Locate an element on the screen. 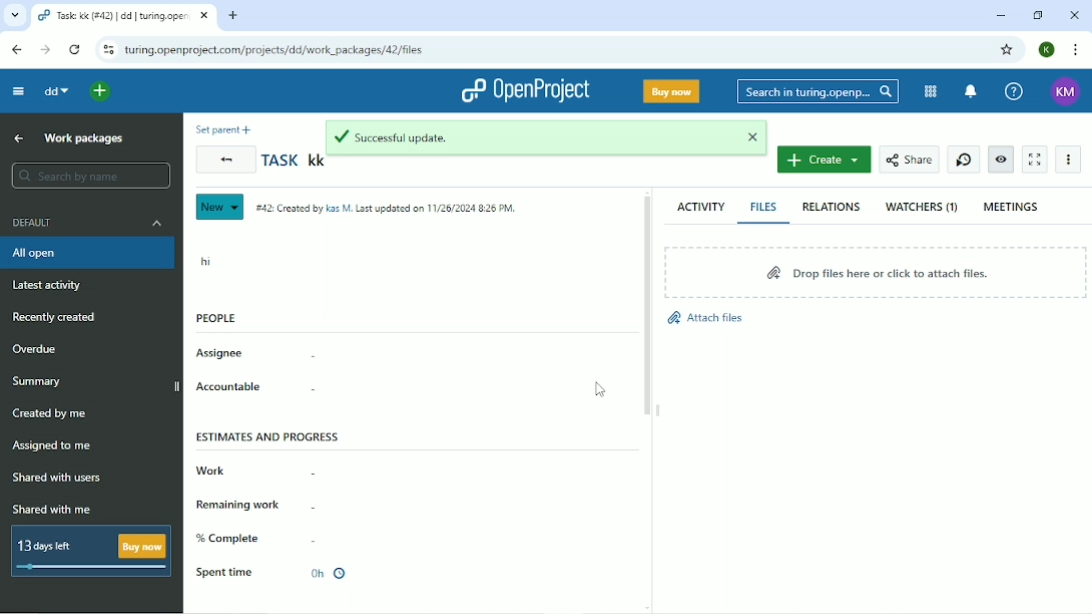 This screenshot has width=1092, height=614. Close is located at coordinates (1076, 15).